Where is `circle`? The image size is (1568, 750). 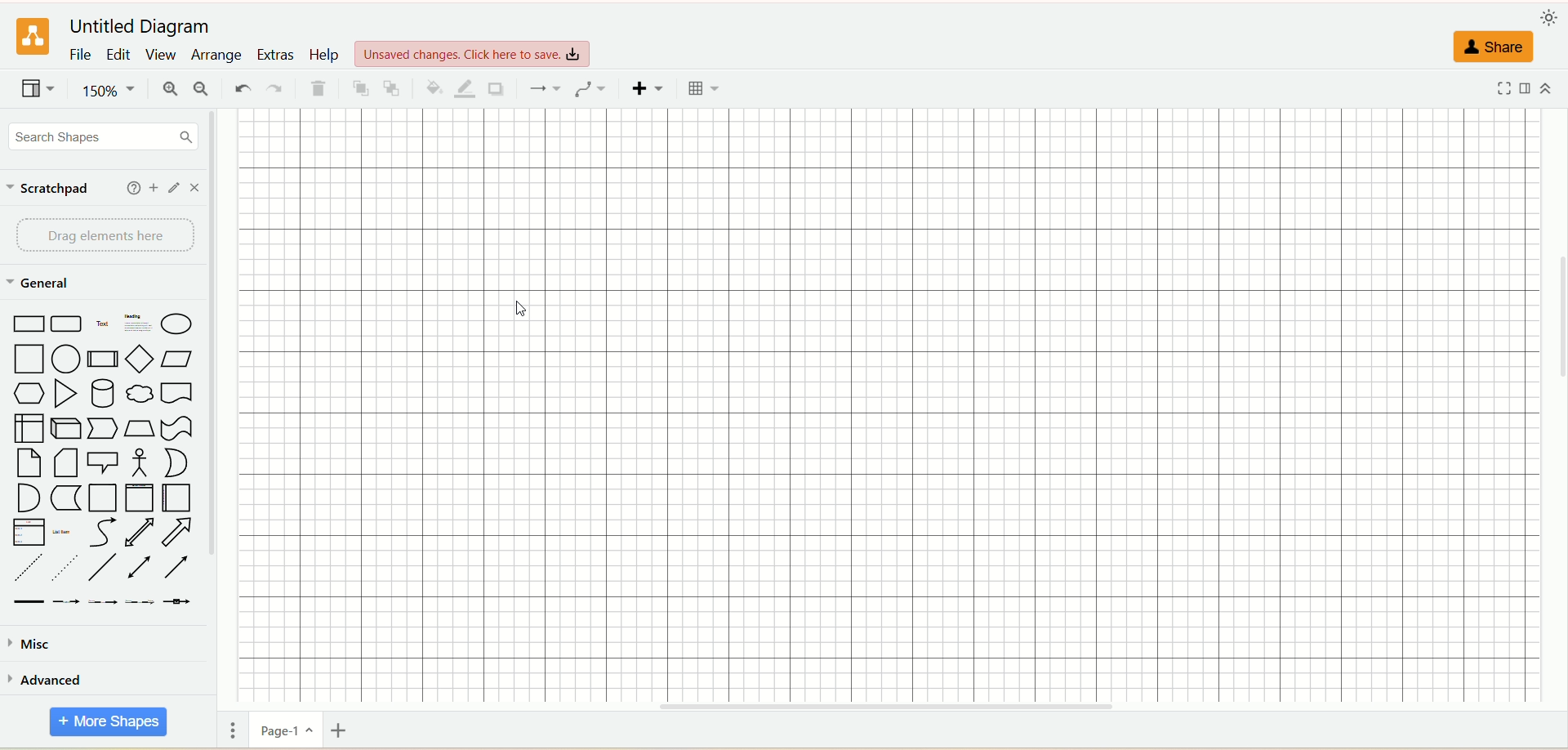 circle is located at coordinates (67, 359).